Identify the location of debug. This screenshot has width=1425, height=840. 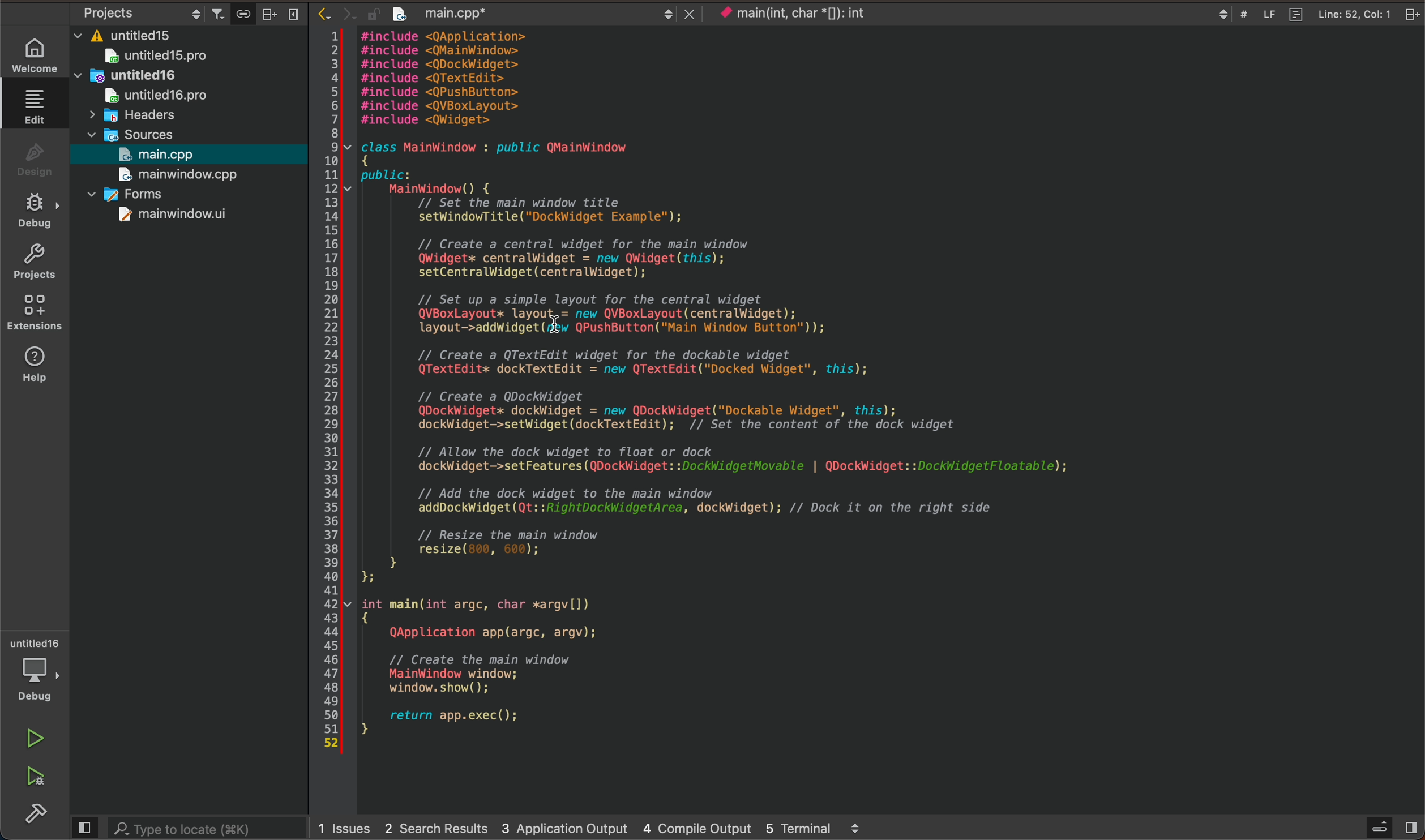
(37, 209).